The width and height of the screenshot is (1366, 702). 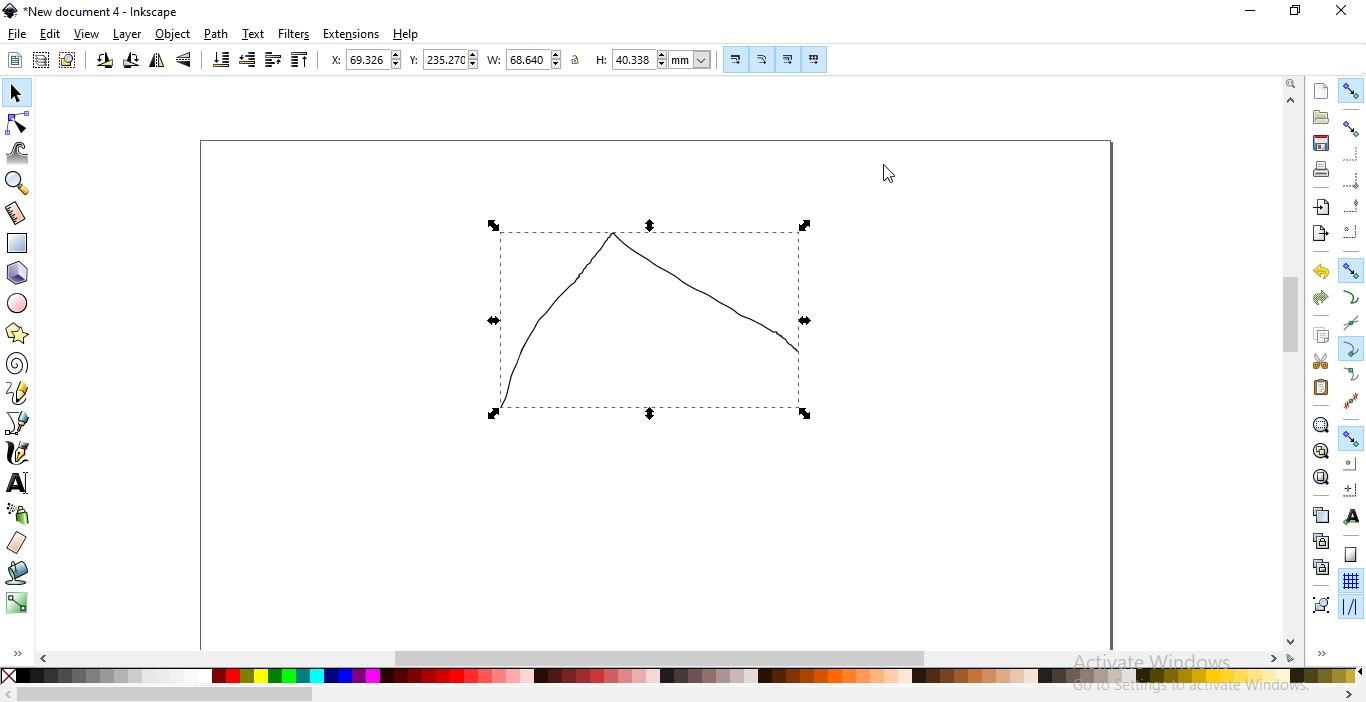 What do you see at coordinates (1351, 554) in the screenshot?
I see `` at bounding box center [1351, 554].